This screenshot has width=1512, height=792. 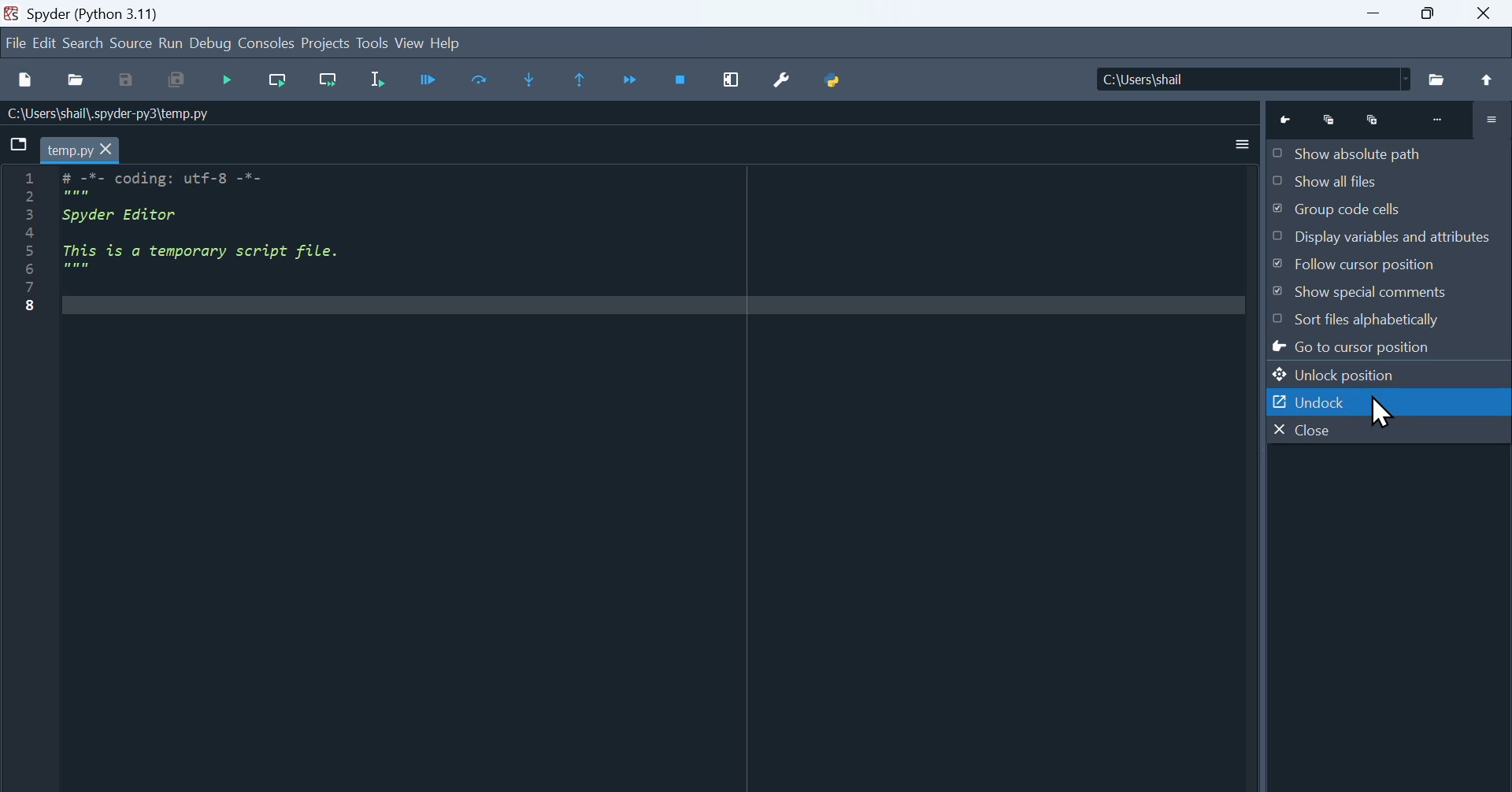 What do you see at coordinates (1389, 347) in the screenshot?
I see `Go to cursor position` at bounding box center [1389, 347].